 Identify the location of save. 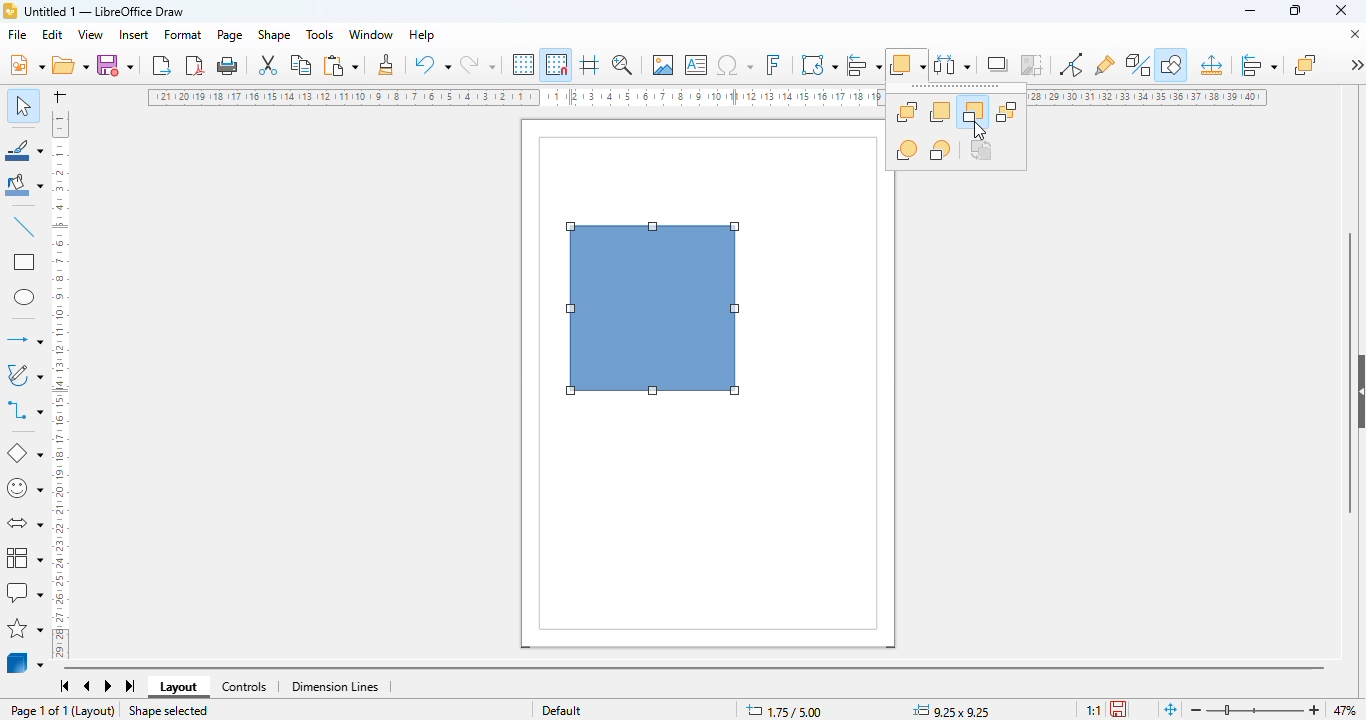
(114, 64).